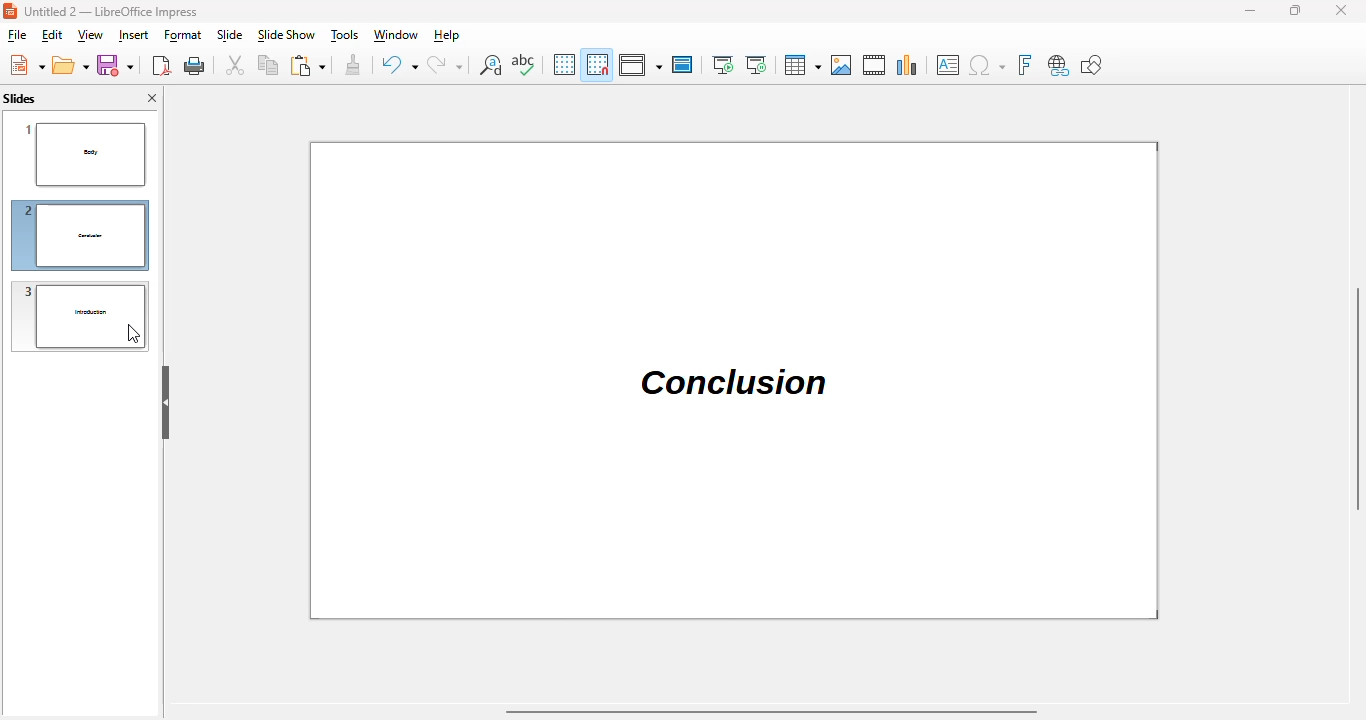  Describe the element at coordinates (683, 64) in the screenshot. I see `master slide` at that location.